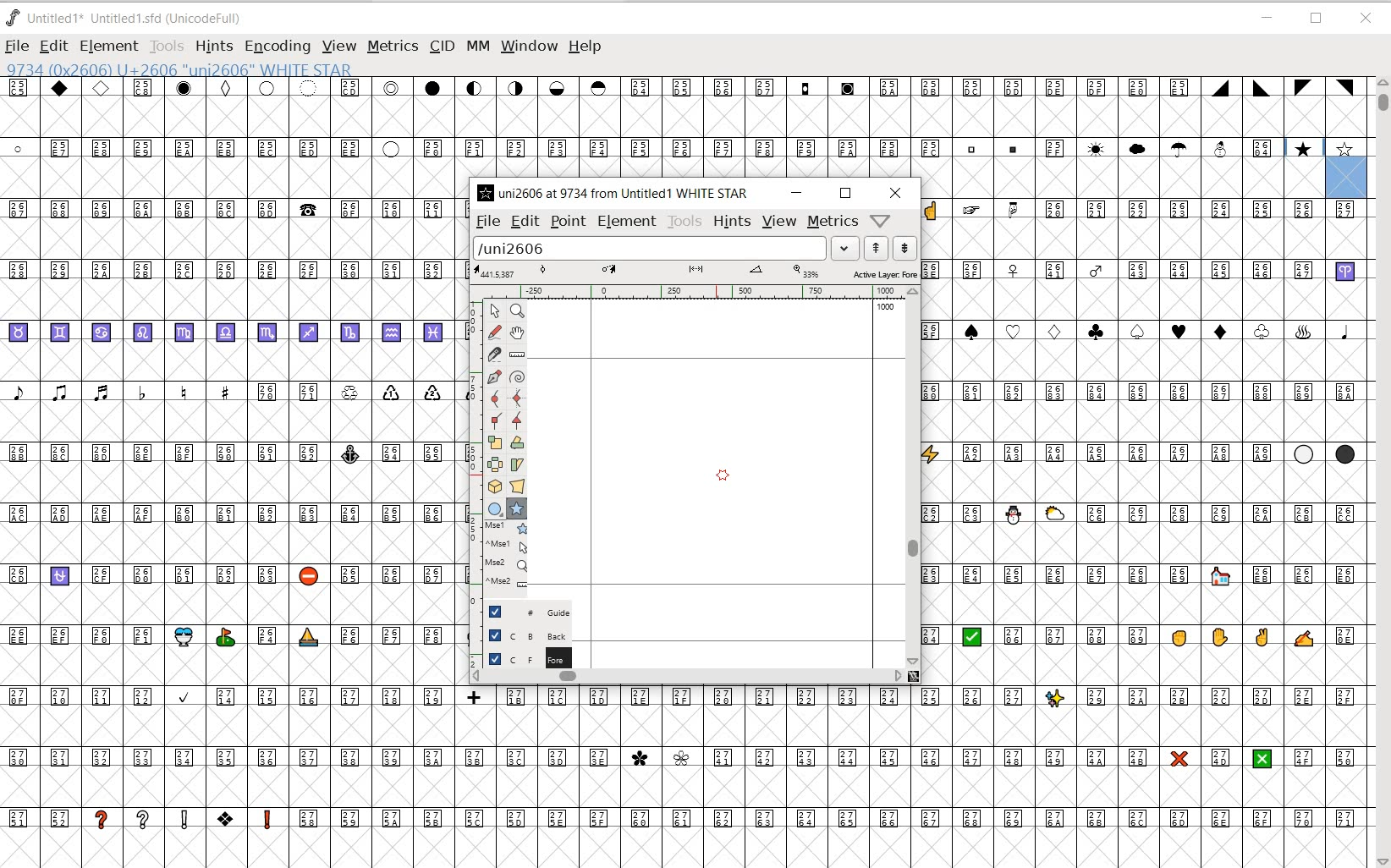 The image size is (1391, 868). I want to click on POLYGON OR START TOOL, so click(723, 477).